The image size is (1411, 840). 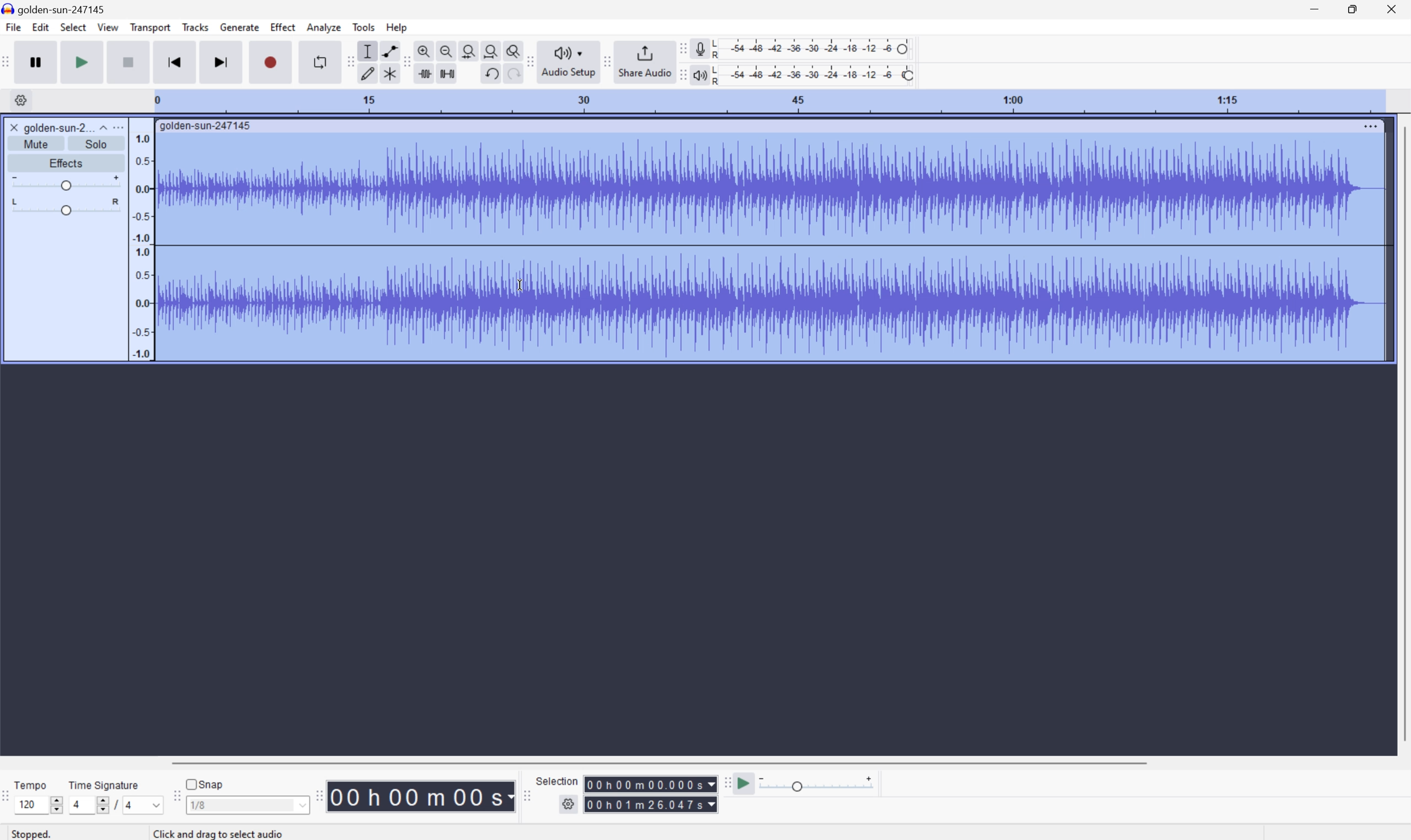 What do you see at coordinates (40, 62) in the screenshot?
I see `Pause` at bounding box center [40, 62].